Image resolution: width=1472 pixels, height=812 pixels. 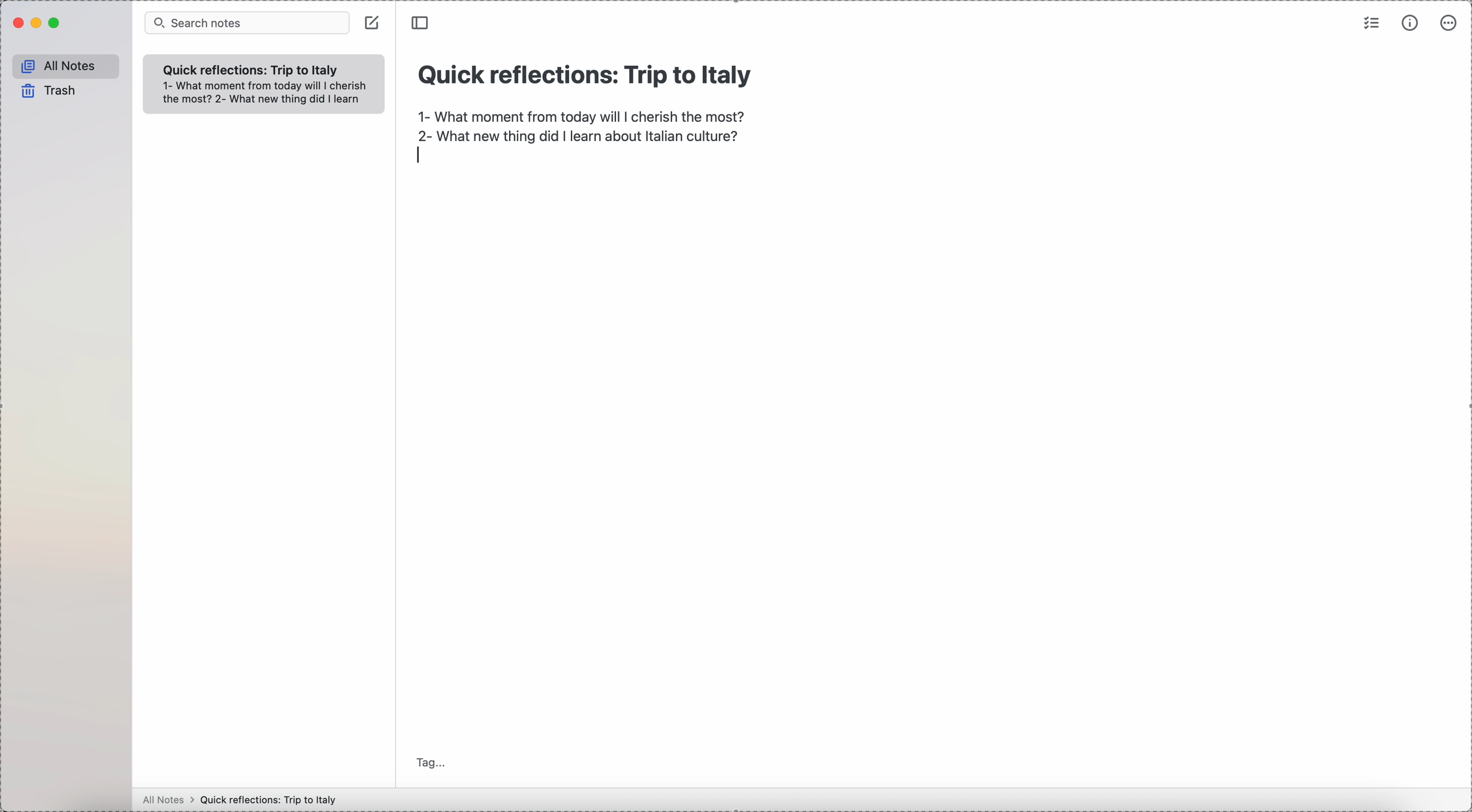 What do you see at coordinates (165, 801) in the screenshot?
I see `all notes` at bounding box center [165, 801].